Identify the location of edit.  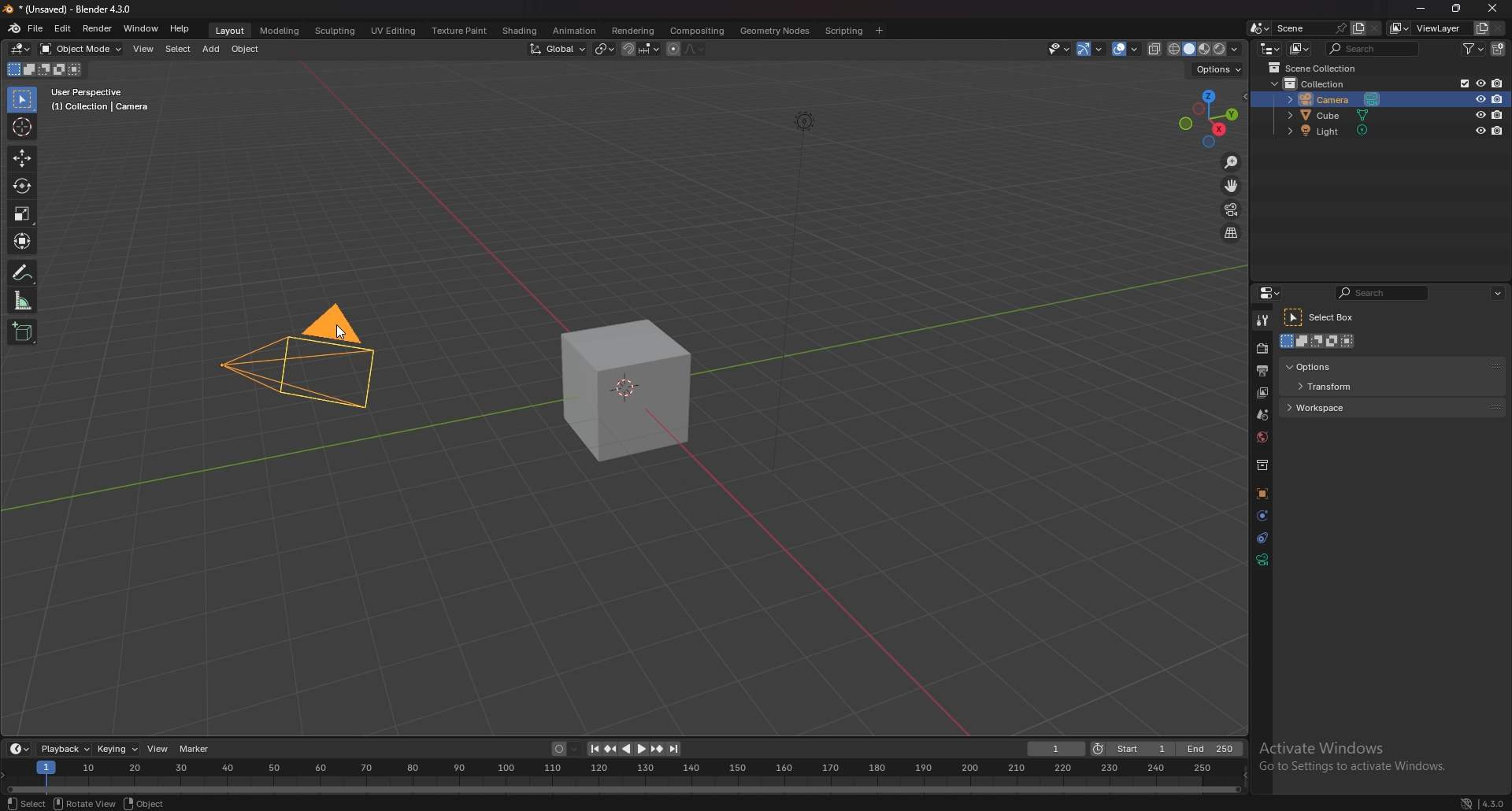
(64, 28).